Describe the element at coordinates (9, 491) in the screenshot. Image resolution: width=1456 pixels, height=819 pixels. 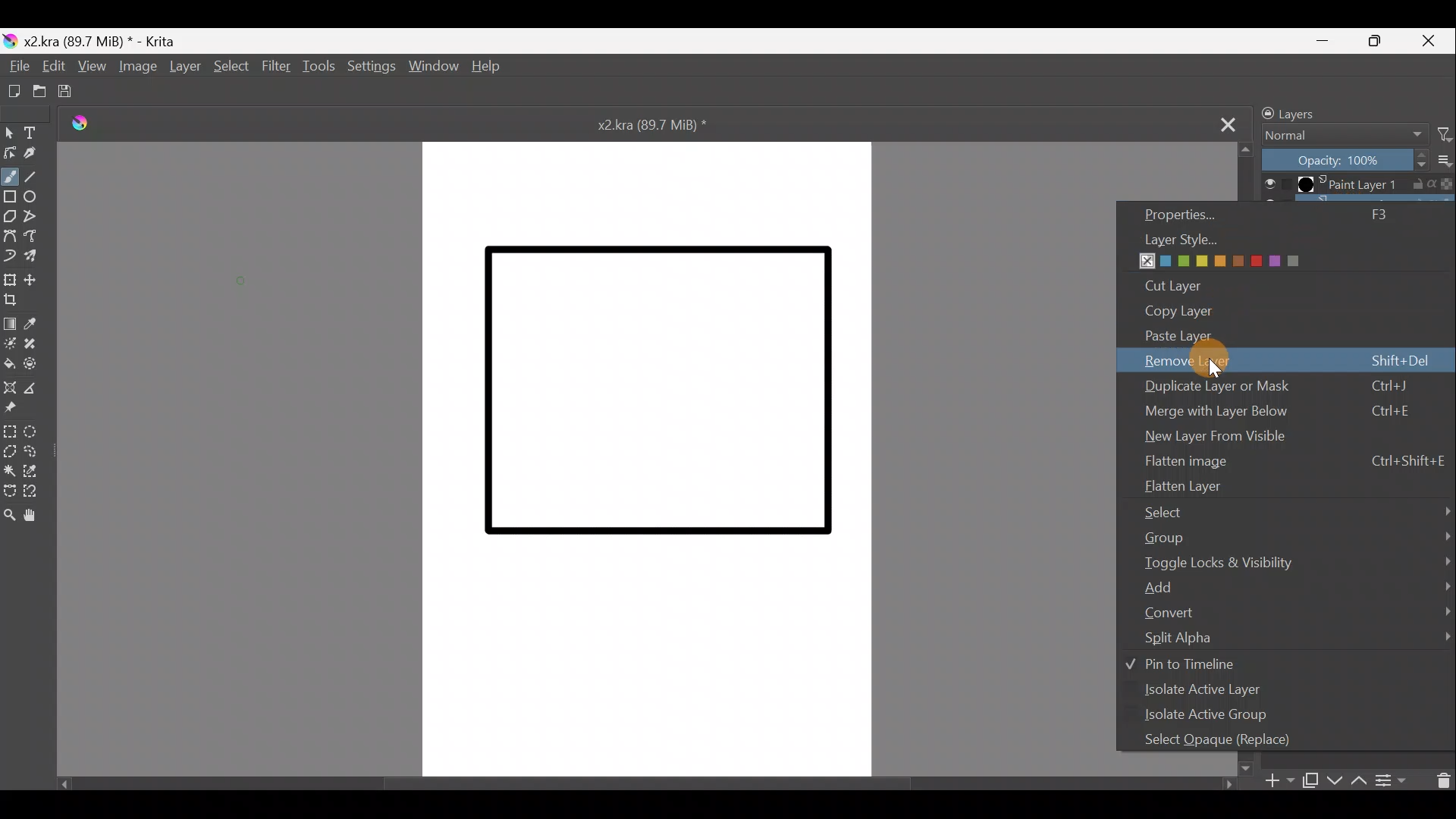
I see `Bezier curve selection tool` at that location.